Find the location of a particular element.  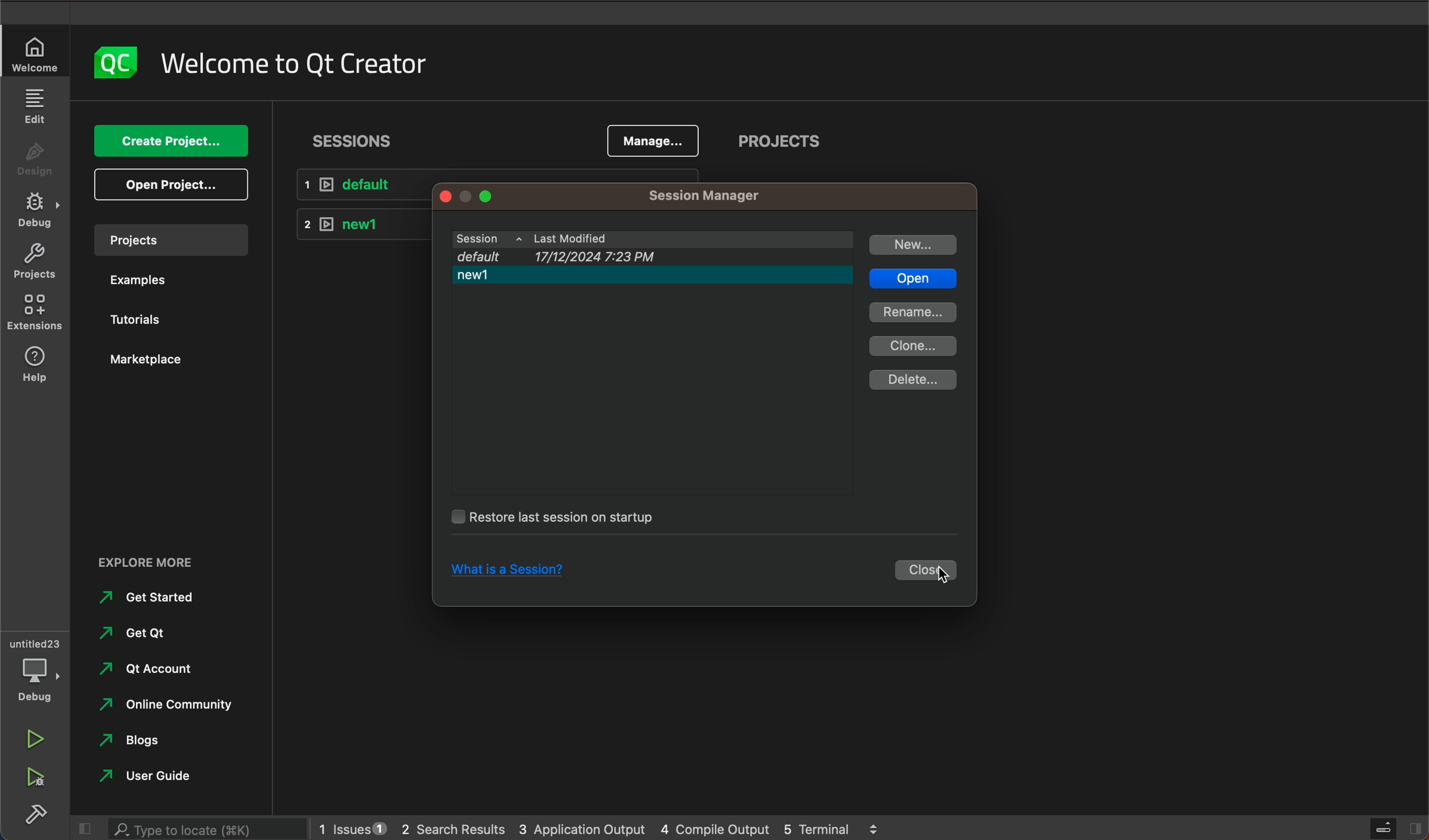

searchbar is located at coordinates (203, 828).